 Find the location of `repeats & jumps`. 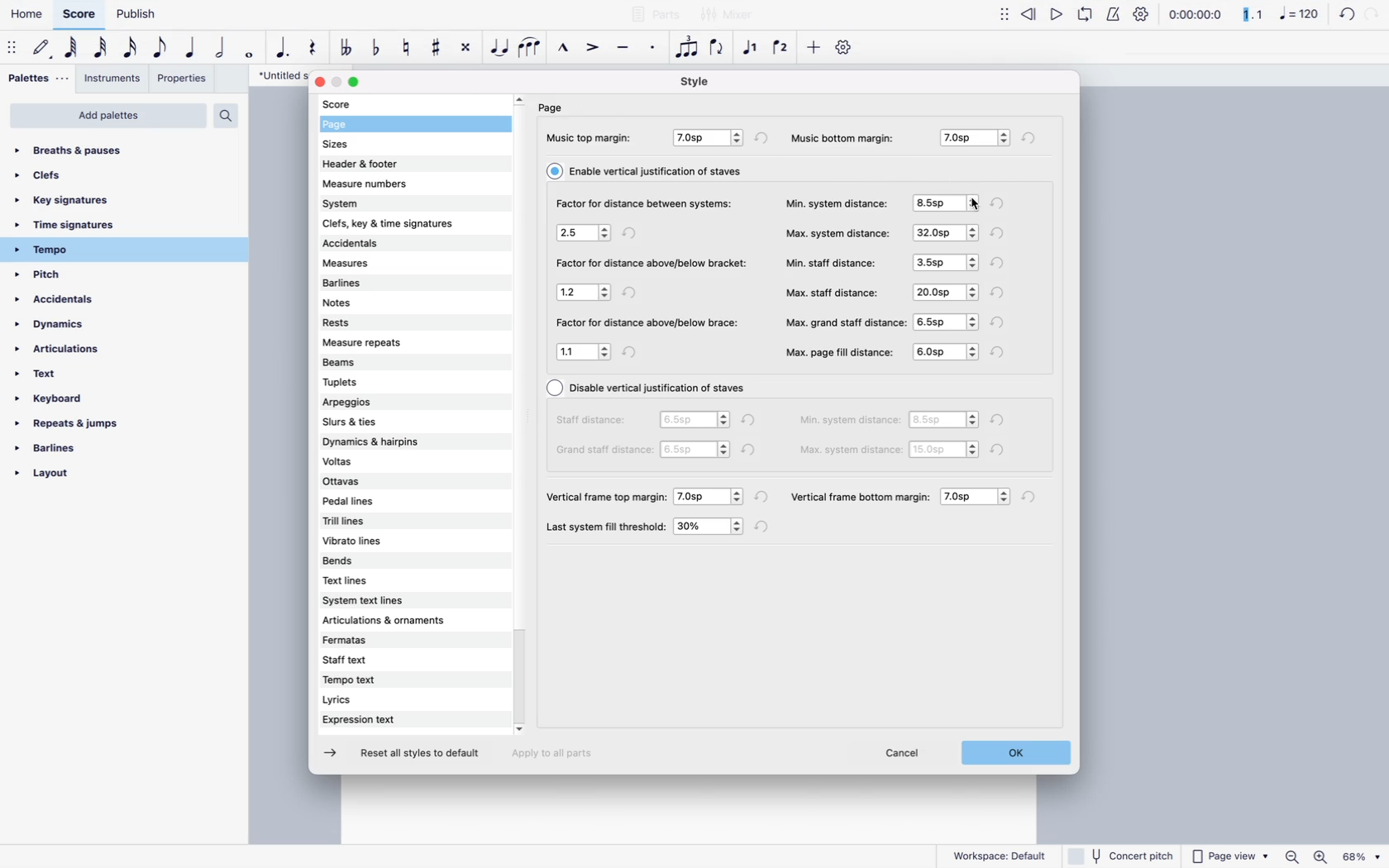

repeats & jumps is located at coordinates (69, 425).